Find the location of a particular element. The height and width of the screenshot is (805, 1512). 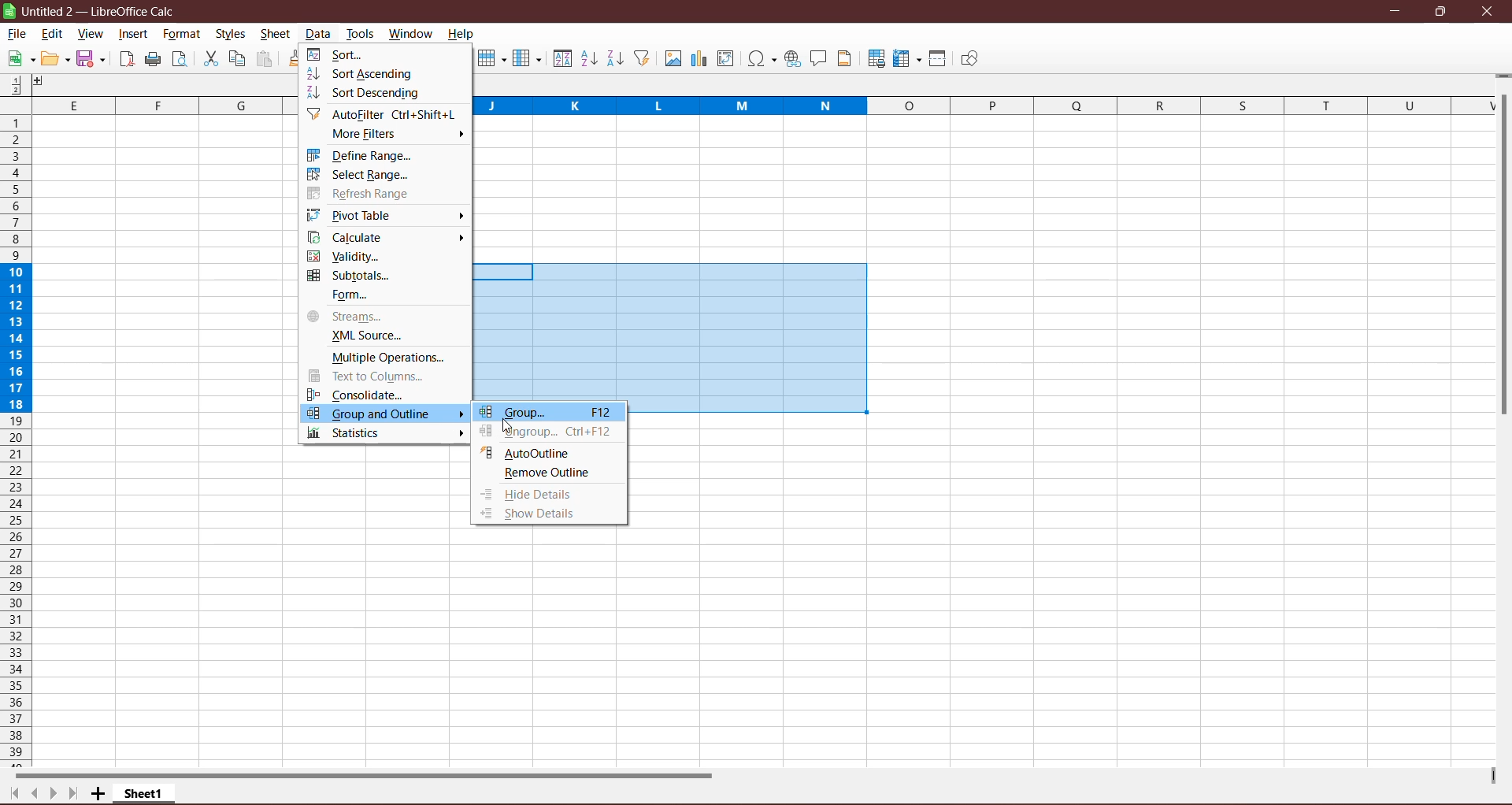

XML Source is located at coordinates (361, 336).